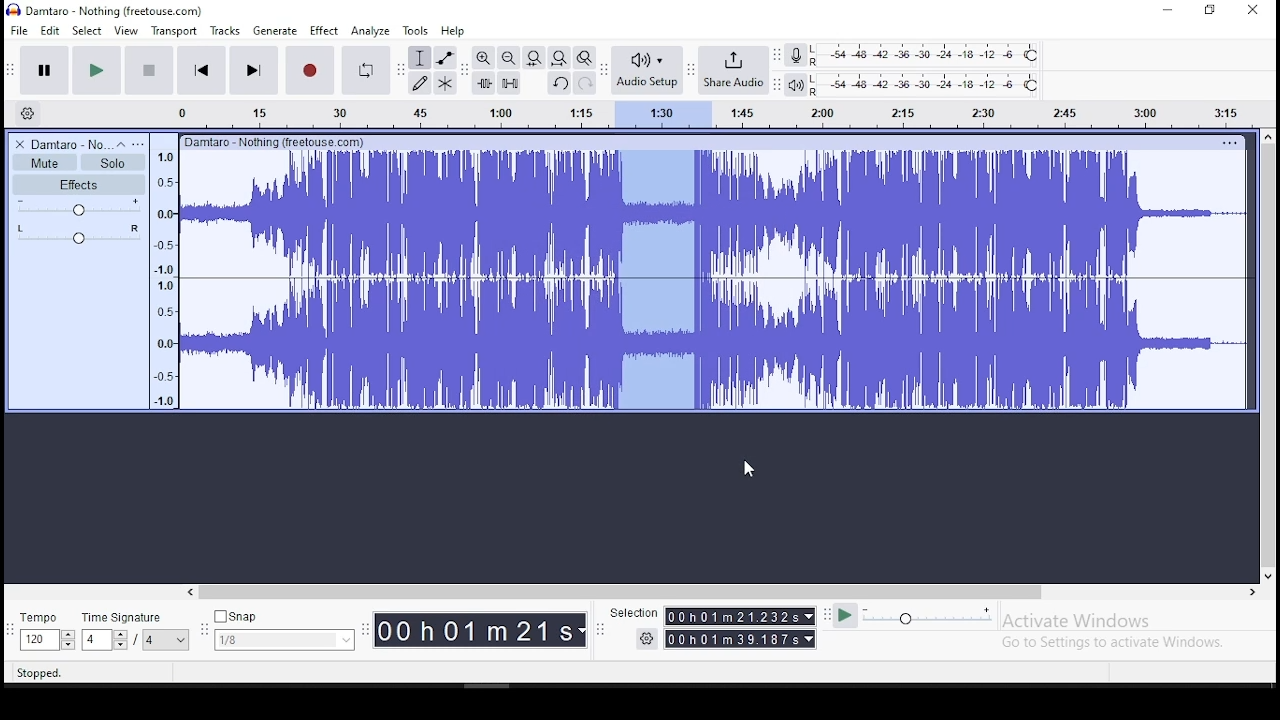  What do you see at coordinates (44, 619) in the screenshot?
I see `tempo` at bounding box center [44, 619].